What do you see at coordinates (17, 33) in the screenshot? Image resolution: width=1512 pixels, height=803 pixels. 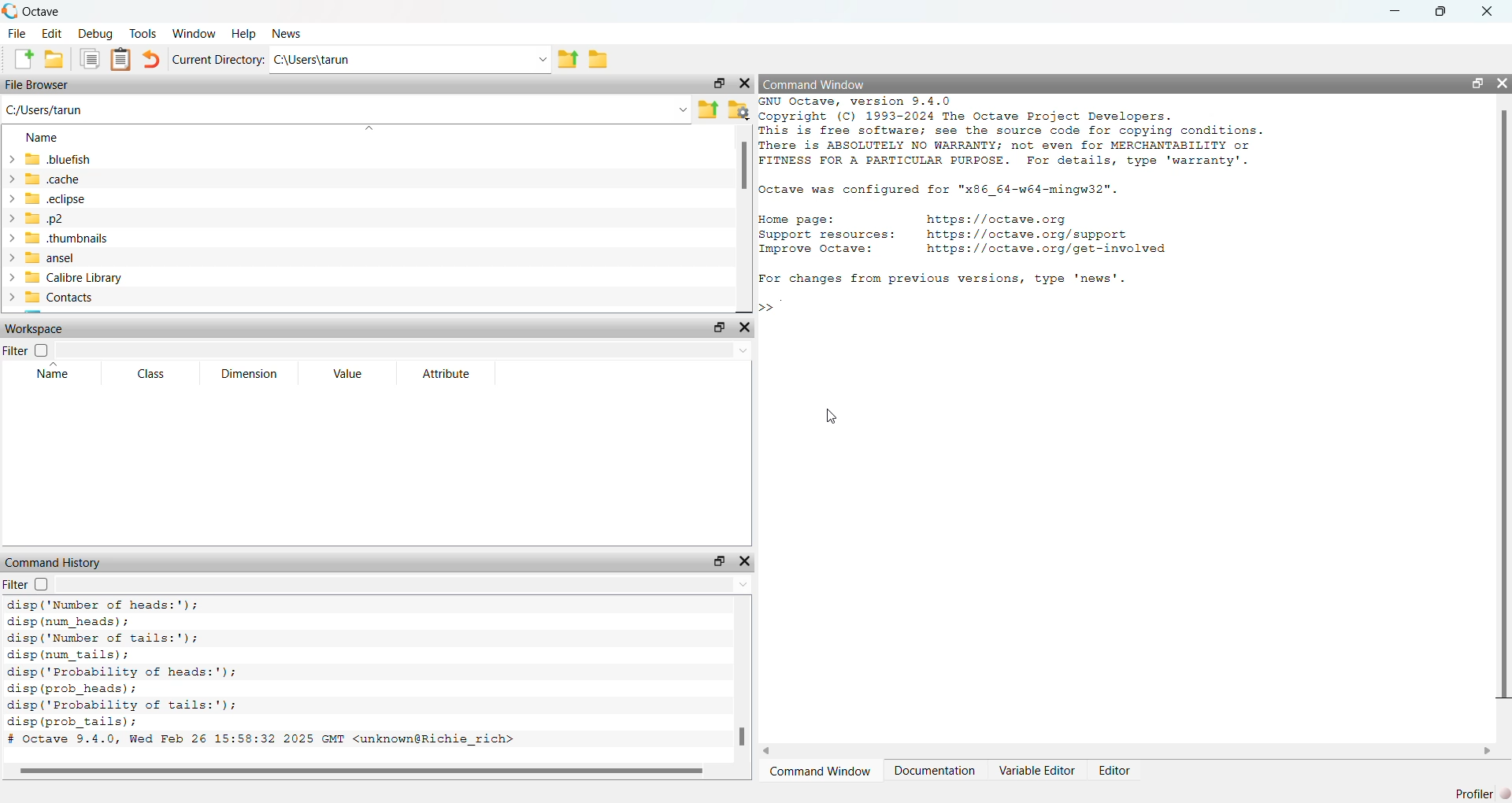 I see `File` at bounding box center [17, 33].